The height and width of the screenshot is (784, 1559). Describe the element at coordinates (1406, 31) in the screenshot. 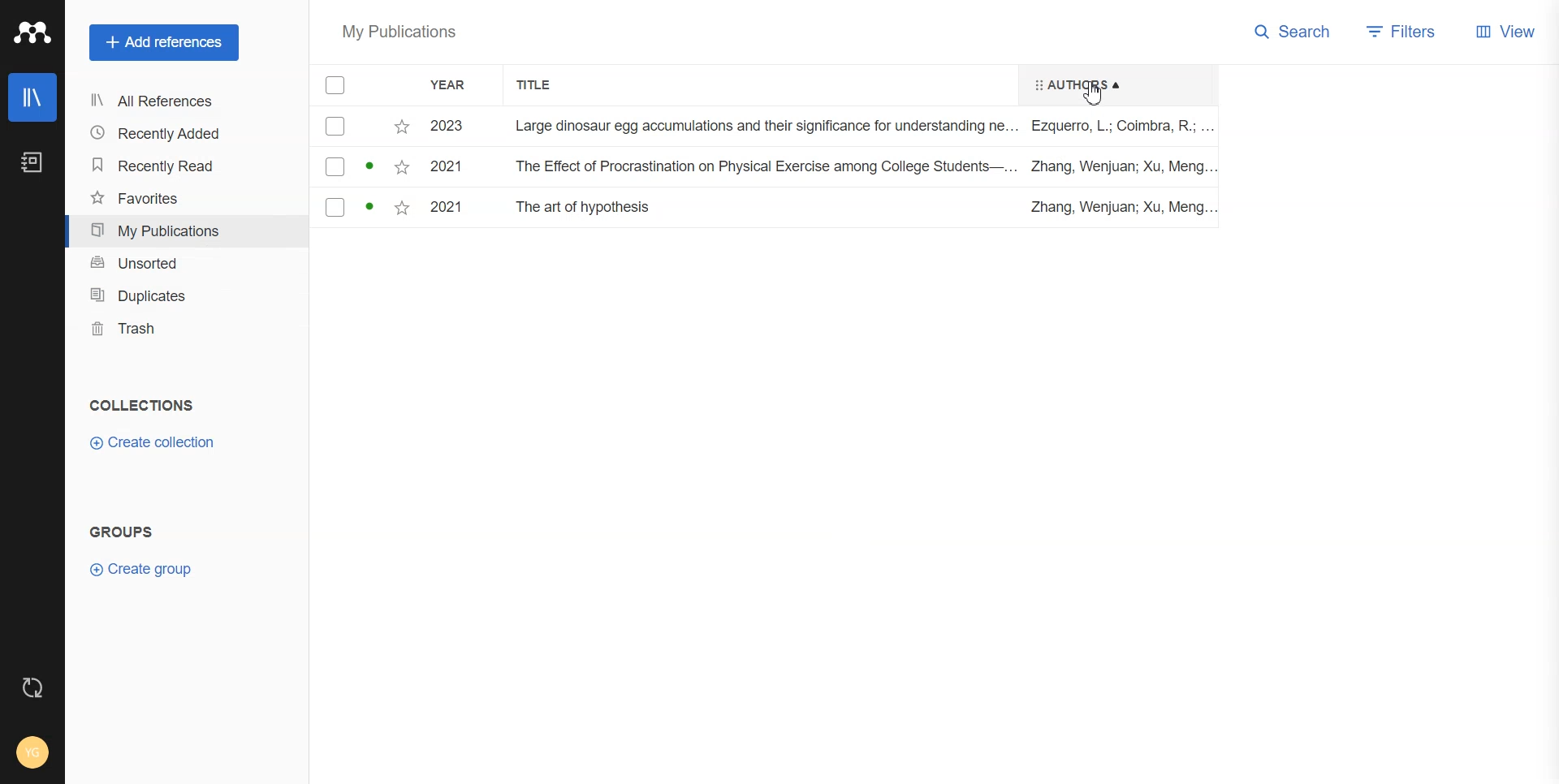

I see `Filters` at that location.